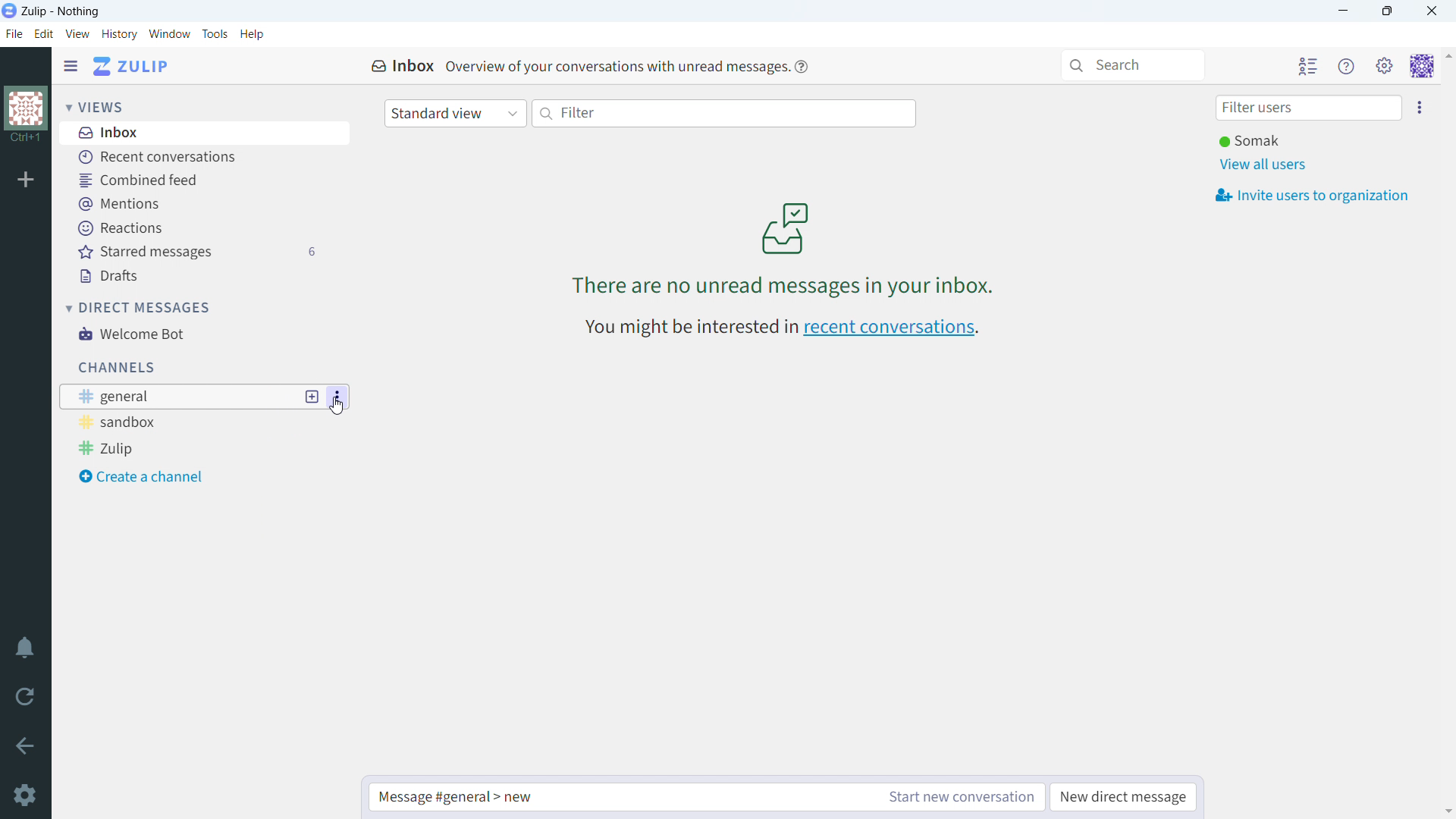 Image resolution: width=1456 pixels, height=819 pixels. Describe the element at coordinates (312, 397) in the screenshot. I see `new topic` at that location.